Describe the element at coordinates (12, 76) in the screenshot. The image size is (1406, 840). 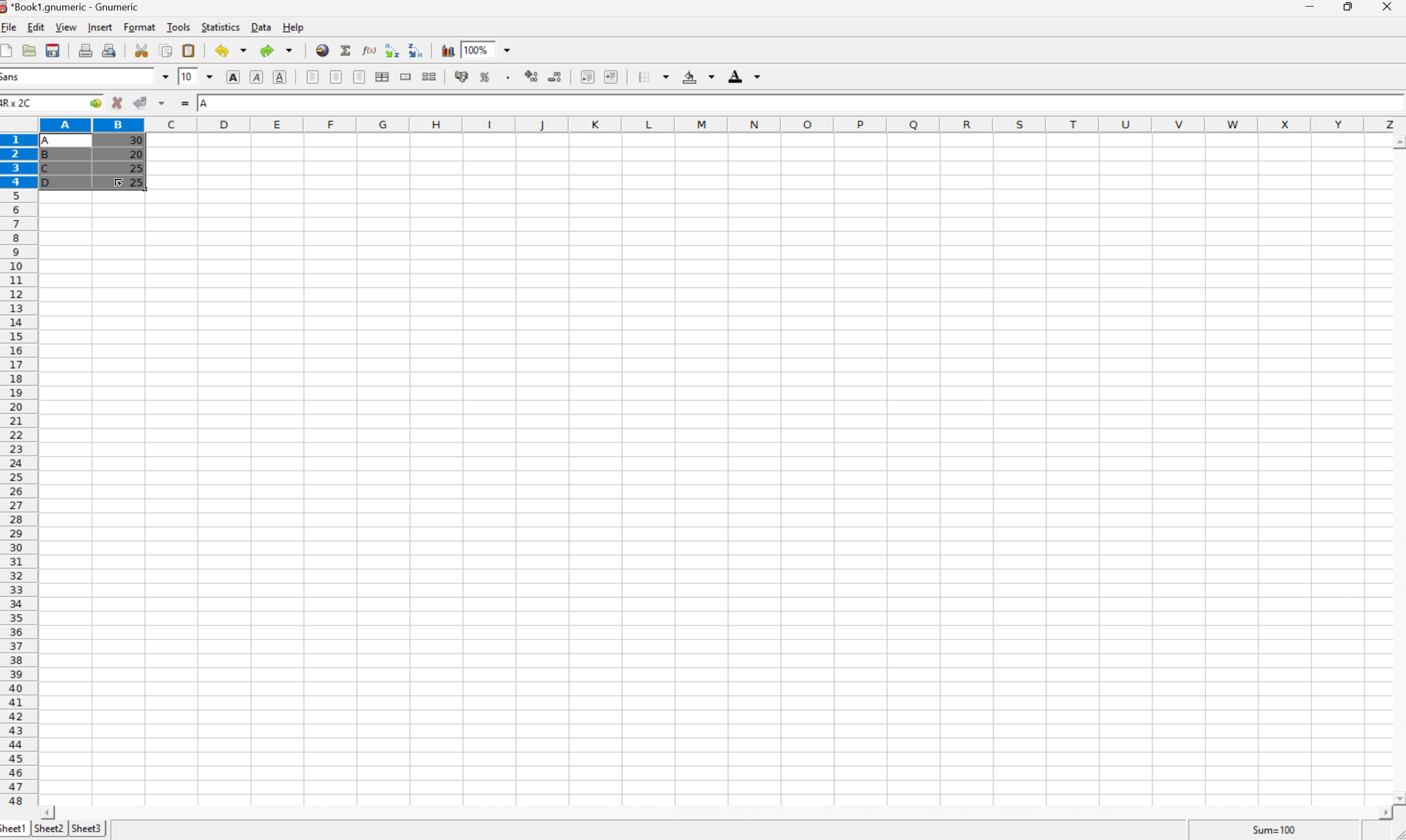
I see `Sans` at that location.